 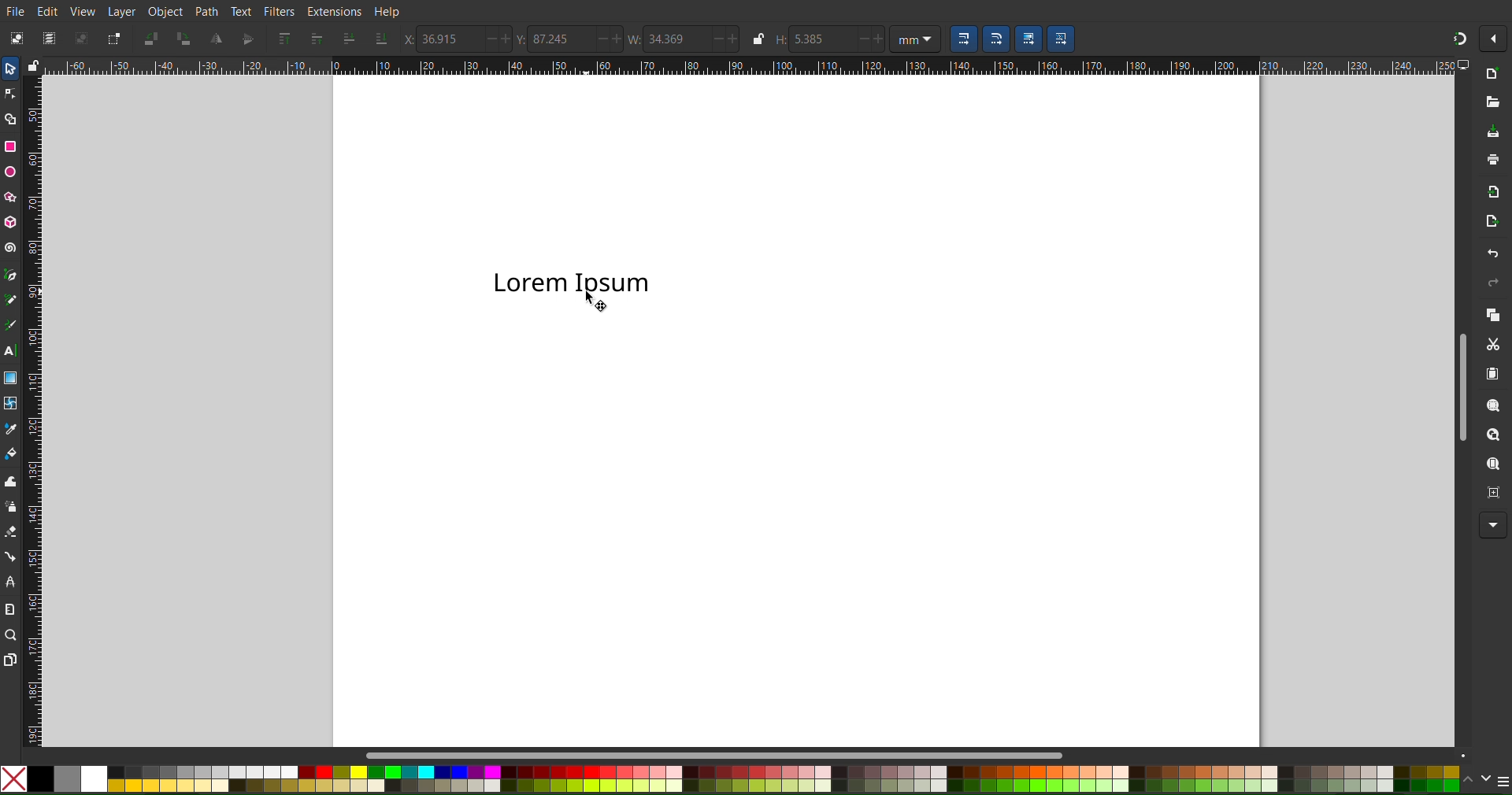 I want to click on Calligraphy Tool, so click(x=11, y=326).